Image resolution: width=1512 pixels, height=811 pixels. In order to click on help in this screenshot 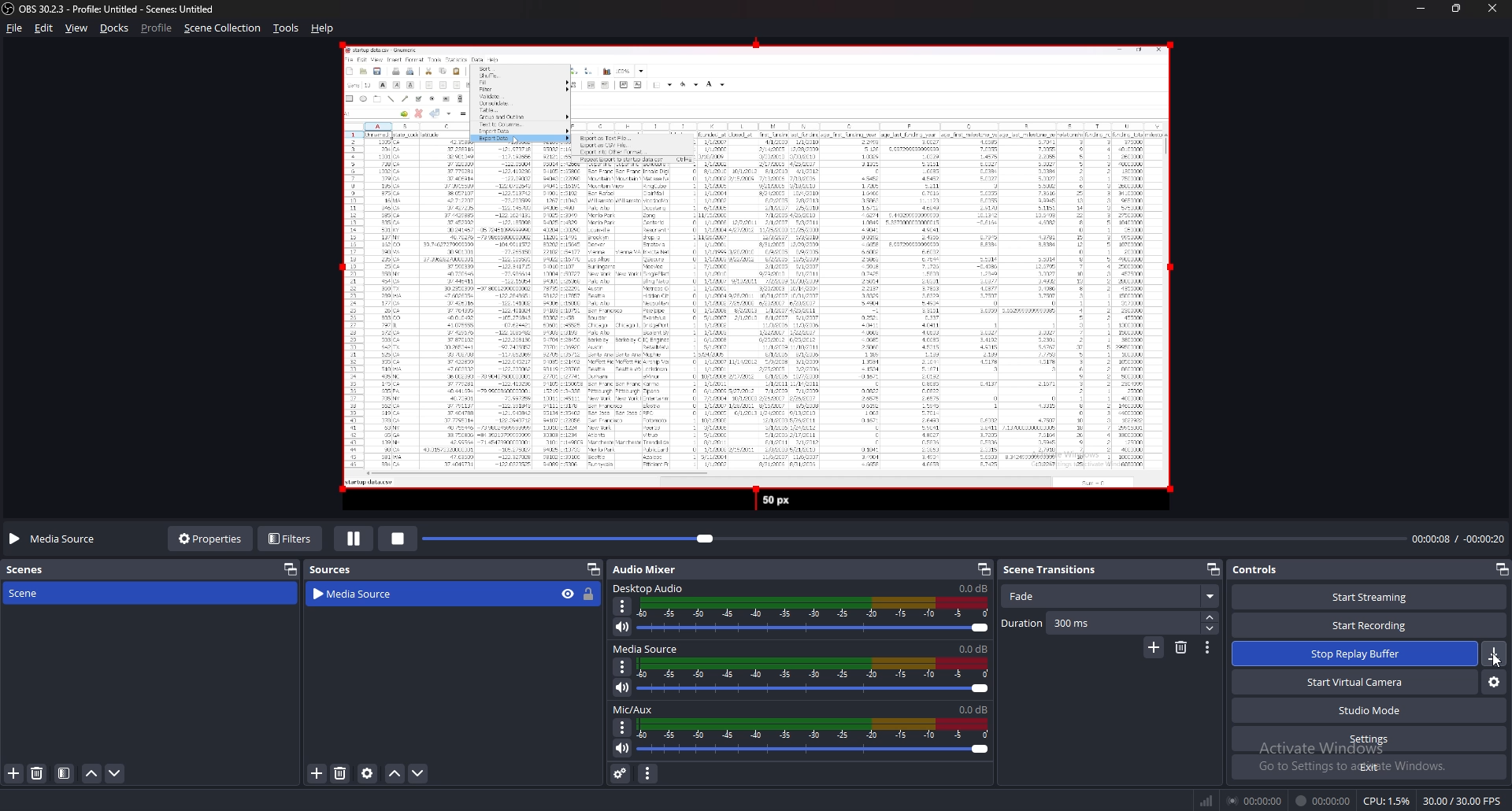, I will do `click(324, 28)`.